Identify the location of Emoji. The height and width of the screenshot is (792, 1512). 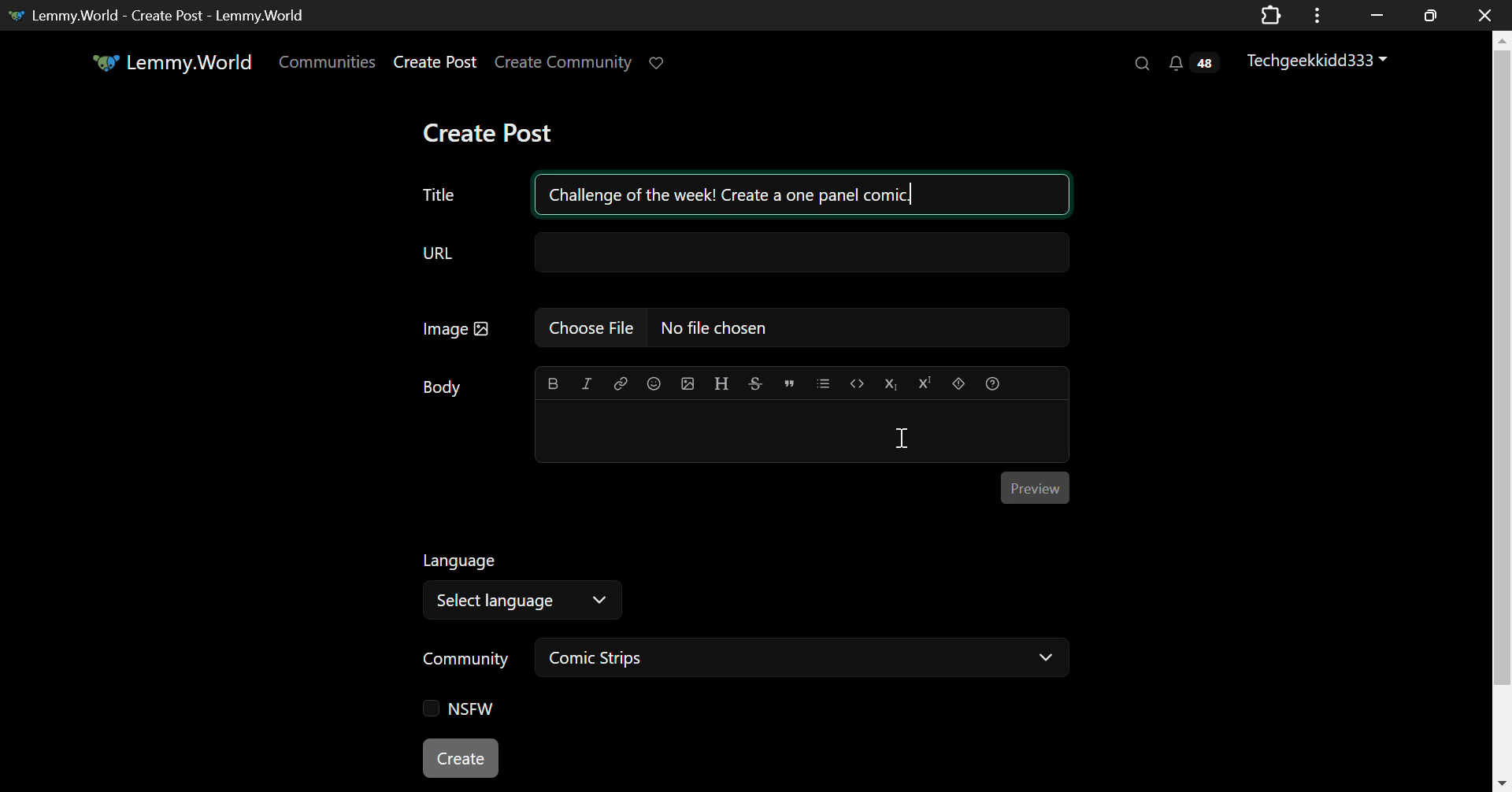
(654, 384).